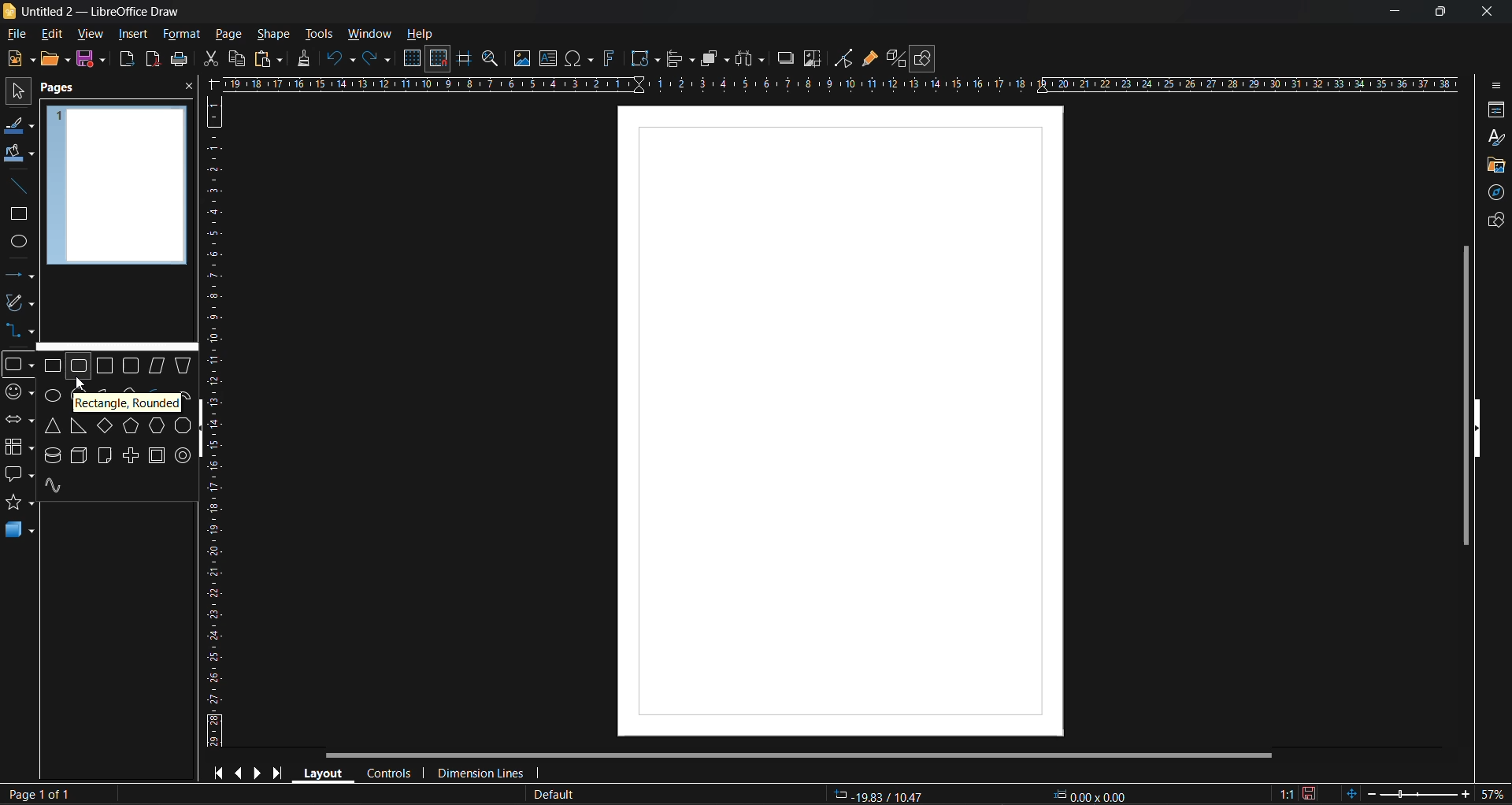 This screenshot has width=1512, height=805. What do you see at coordinates (55, 35) in the screenshot?
I see `edit` at bounding box center [55, 35].